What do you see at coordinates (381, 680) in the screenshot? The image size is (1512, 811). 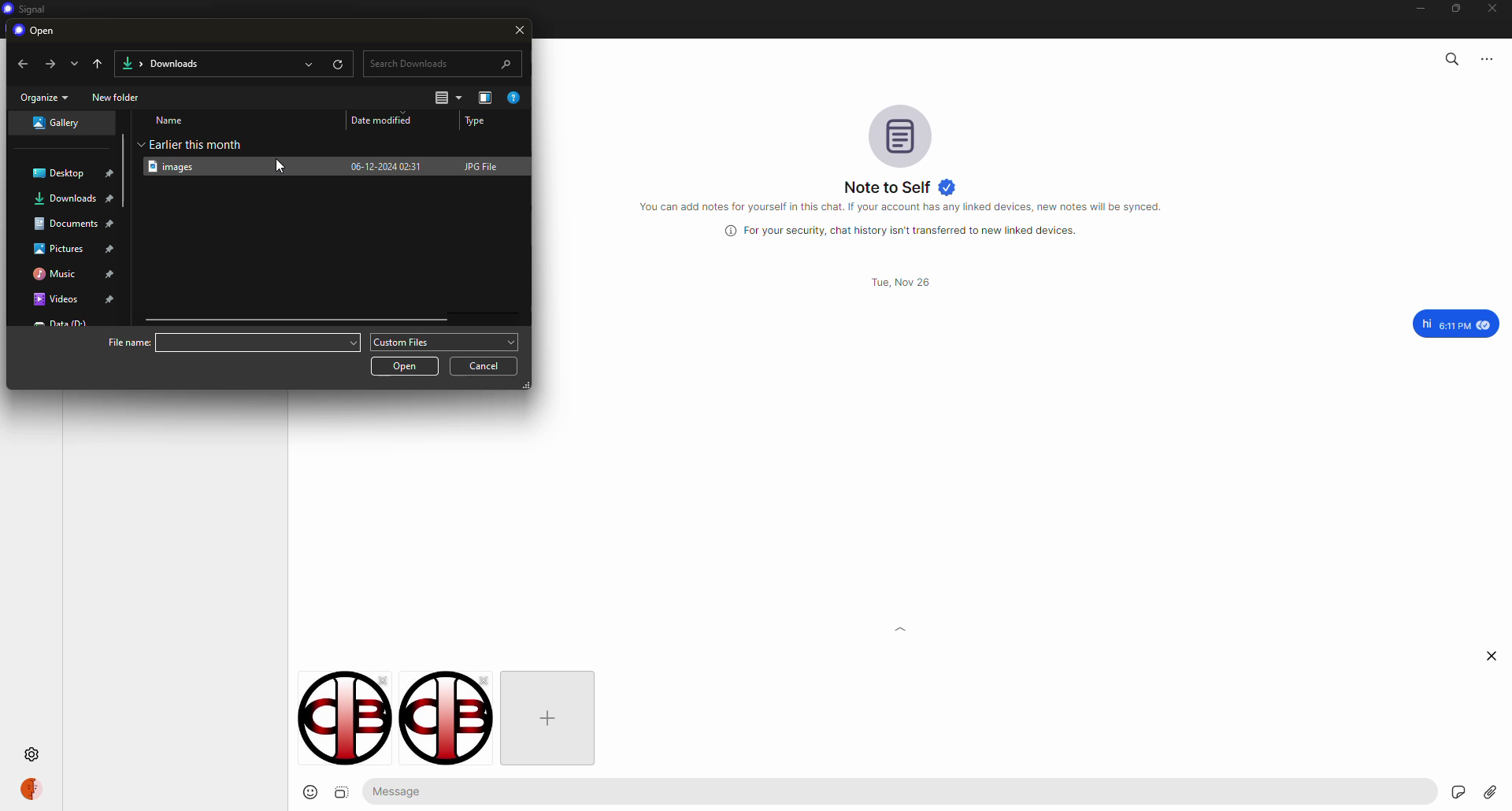 I see `close` at bounding box center [381, 680].